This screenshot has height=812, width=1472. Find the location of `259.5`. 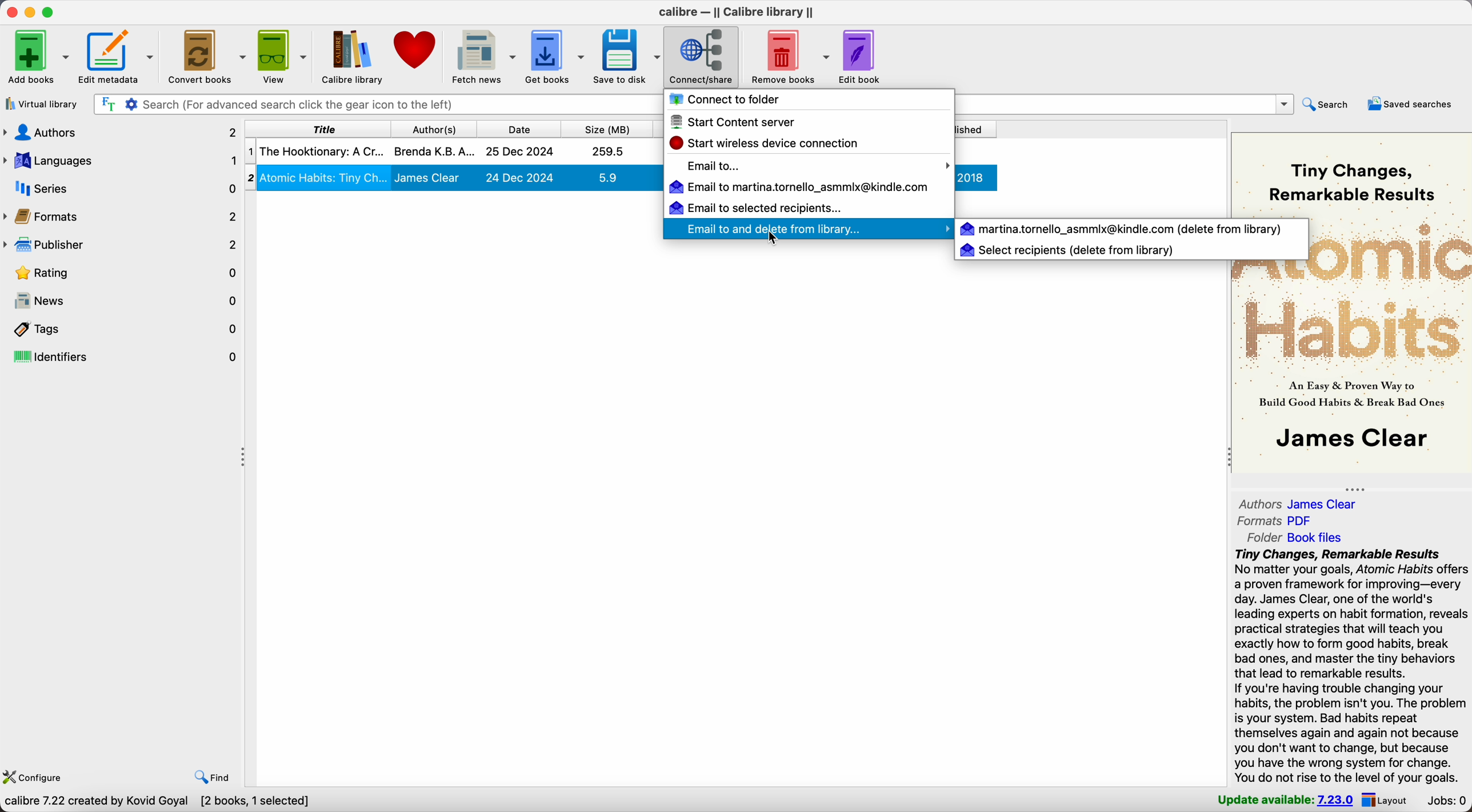

259.5 is located at coordinates (609, 151).